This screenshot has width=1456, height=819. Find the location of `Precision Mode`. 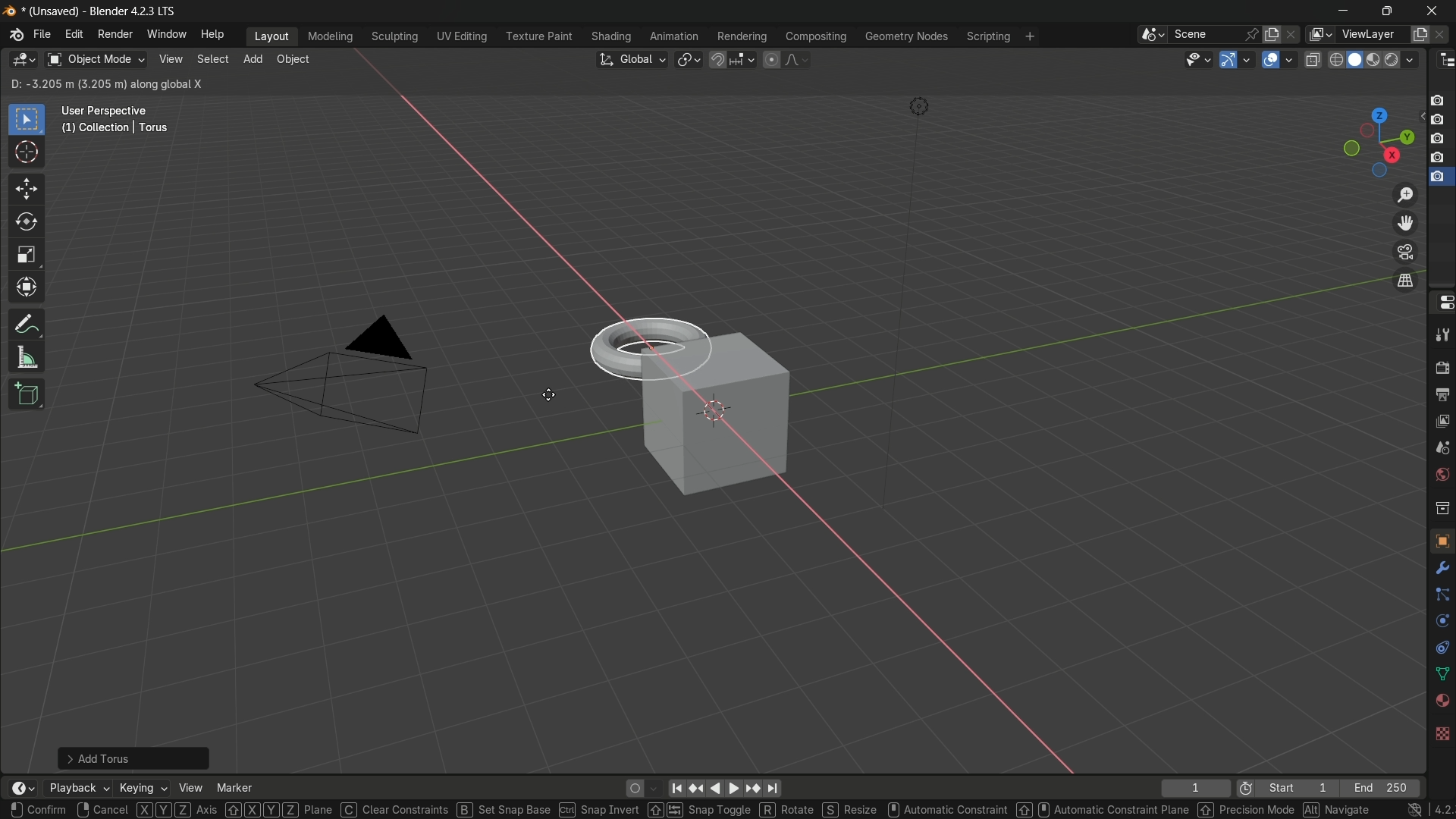

Precision Mode is located at coordinates (1246, 810).